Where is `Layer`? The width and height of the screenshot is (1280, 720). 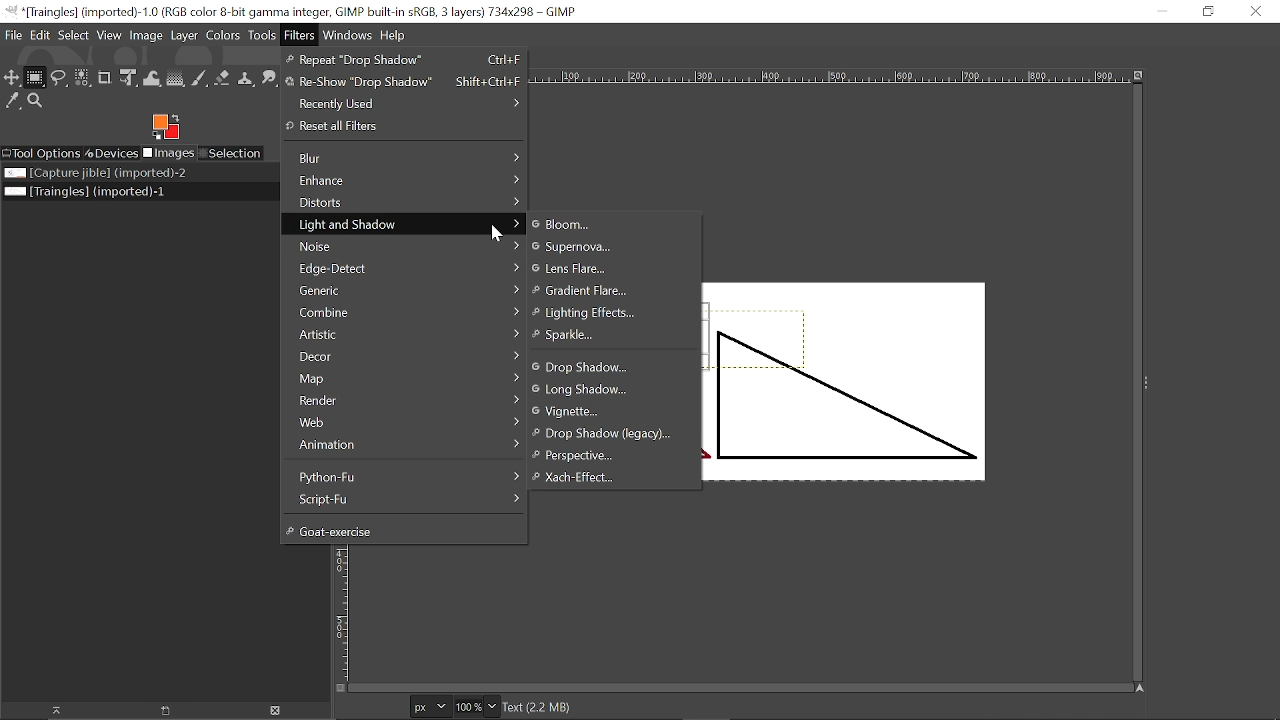
Layer is located at coordinates (184, 36).